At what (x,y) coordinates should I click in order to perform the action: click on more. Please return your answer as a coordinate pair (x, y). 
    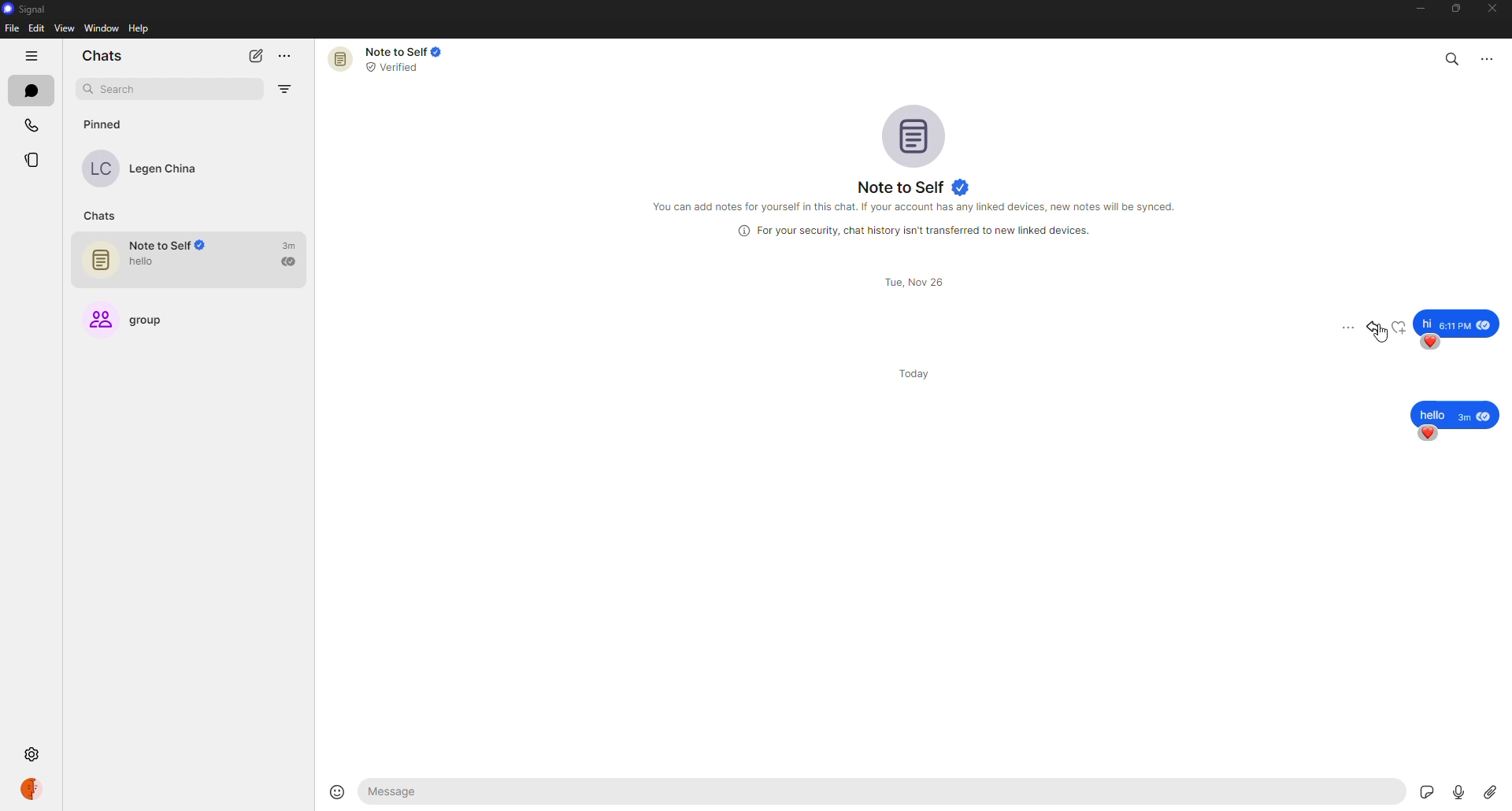
    Looking at the image, I should click on (289, 55).